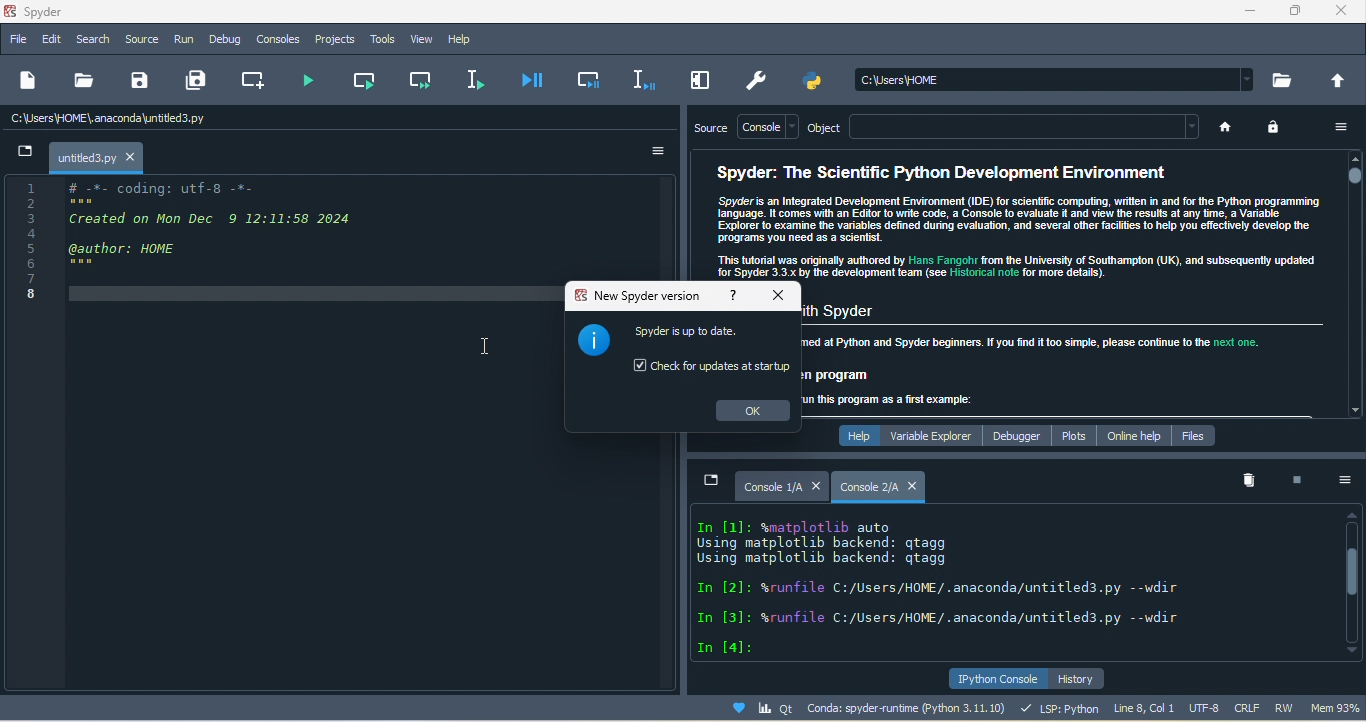 The image size is (1366, 722). I want to click on object, so click(831, 127).